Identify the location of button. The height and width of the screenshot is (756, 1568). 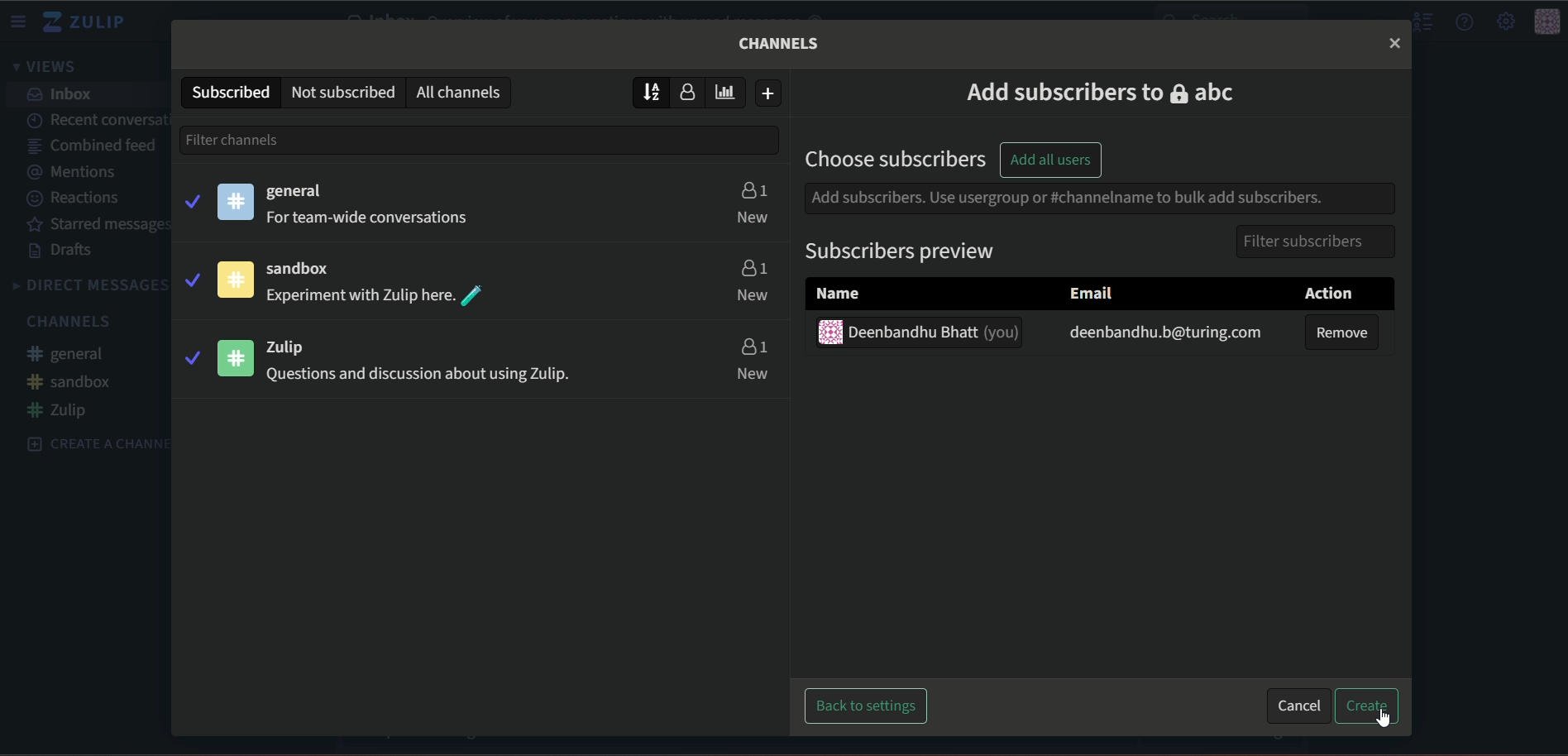
(1372, 709).